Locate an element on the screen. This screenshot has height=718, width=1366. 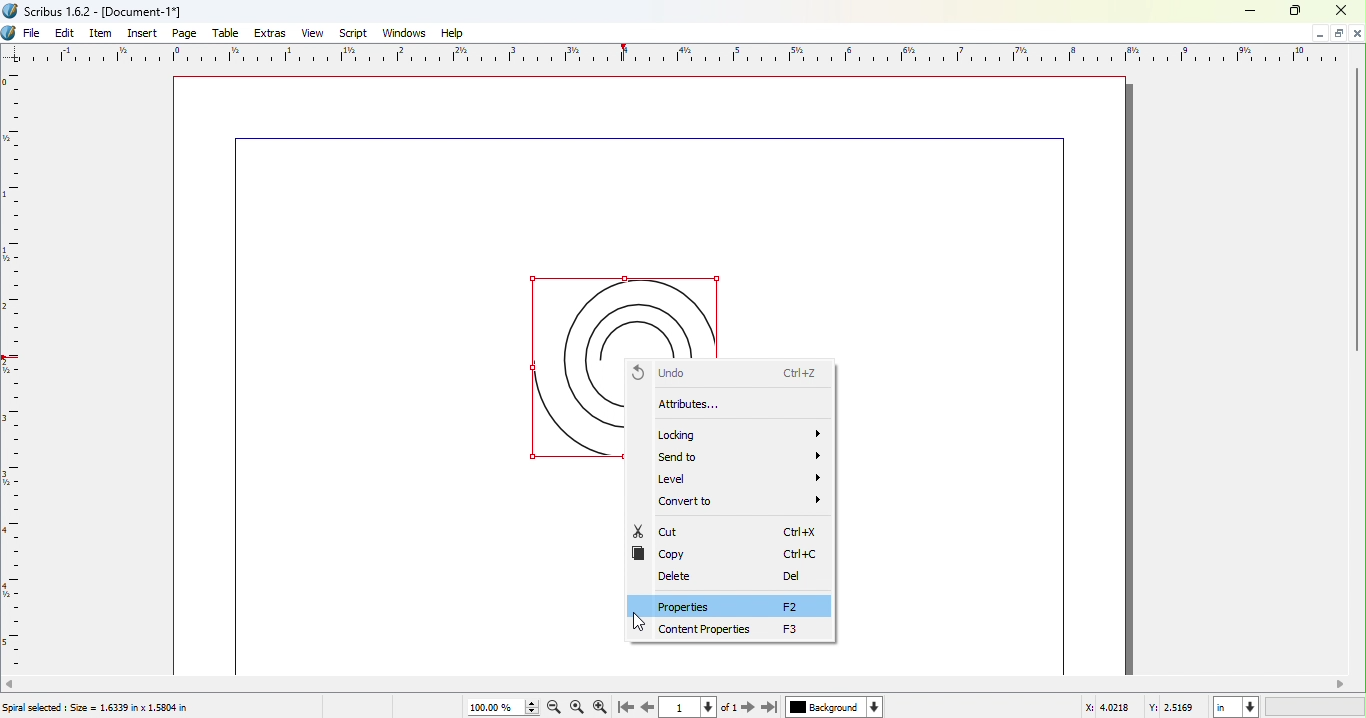
Attributes is located at coordinates (734, 407).